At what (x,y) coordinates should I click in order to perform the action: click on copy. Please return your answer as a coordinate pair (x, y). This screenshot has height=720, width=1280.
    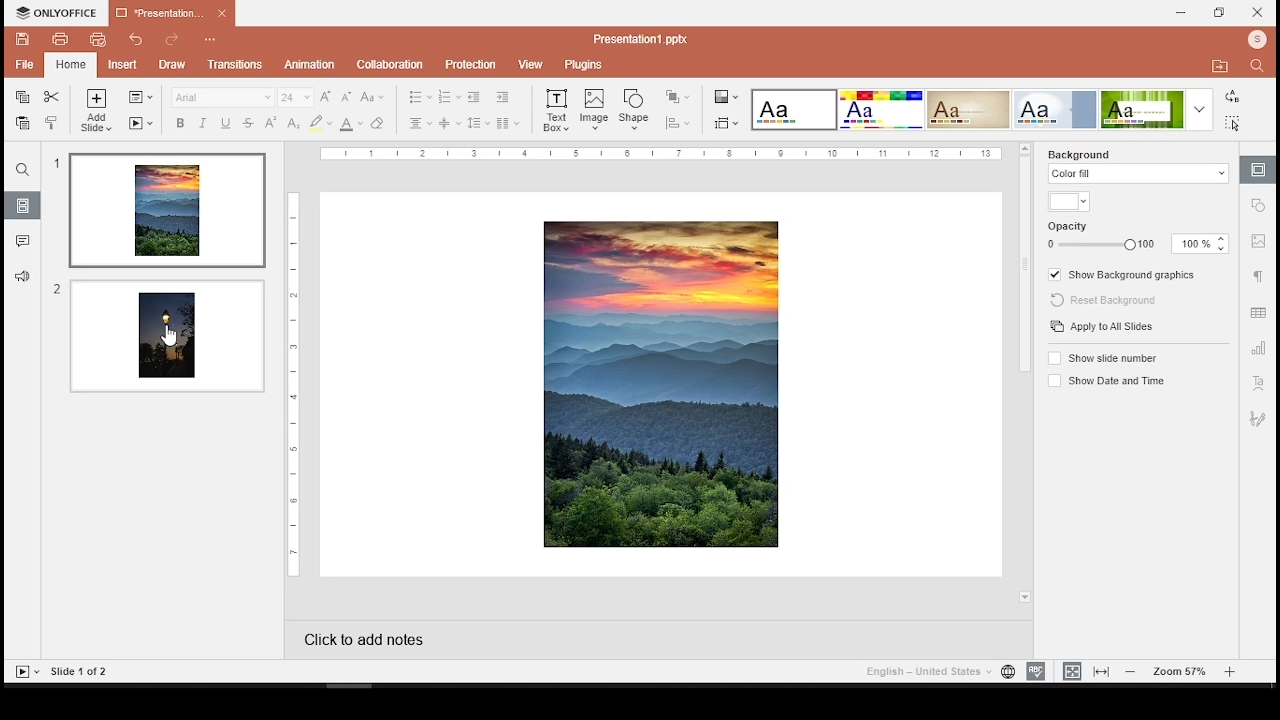
    Looking at the image, I should click on (22, 97).